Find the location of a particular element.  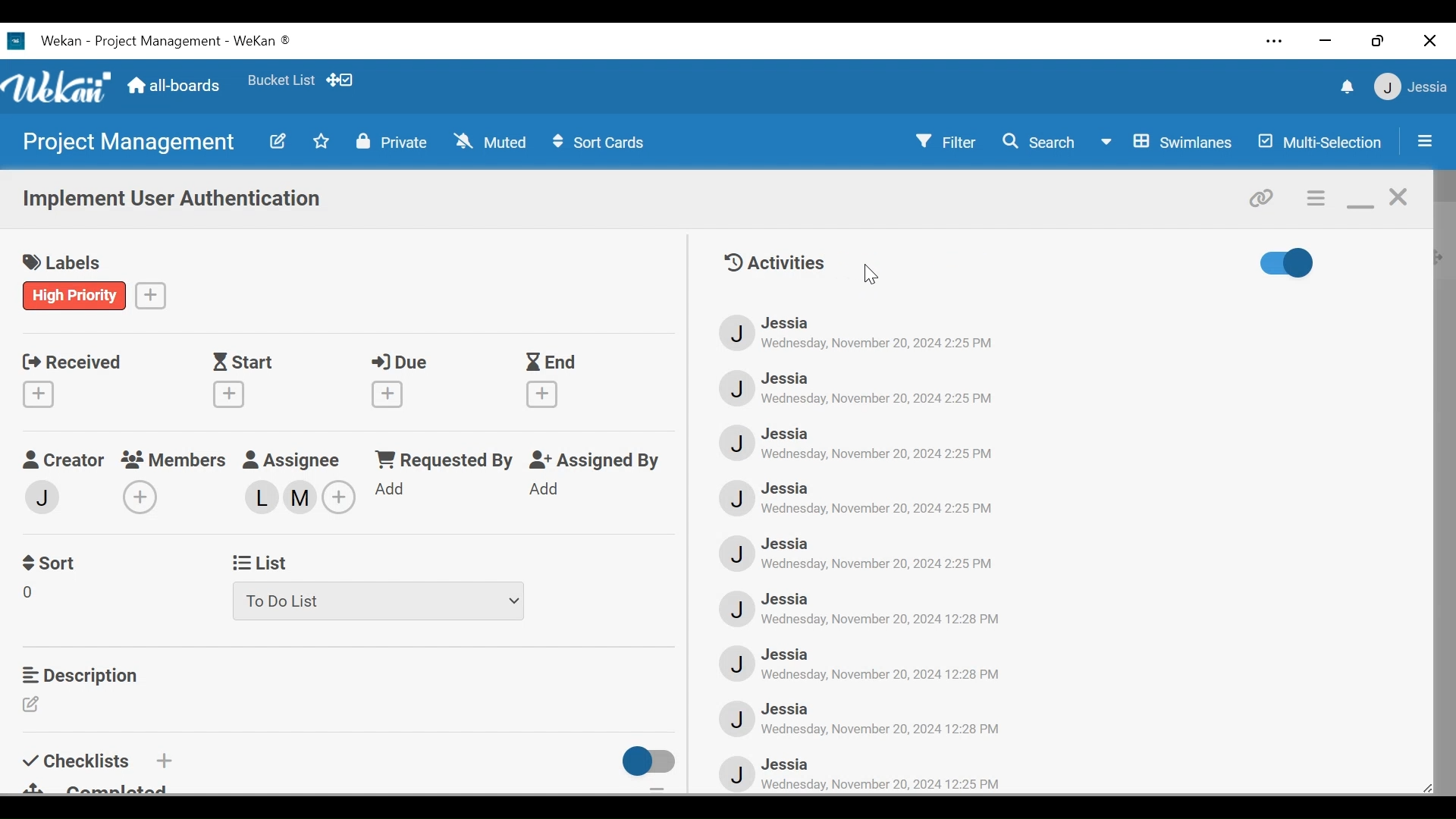

Create a label is located at coordinates (149, 296).